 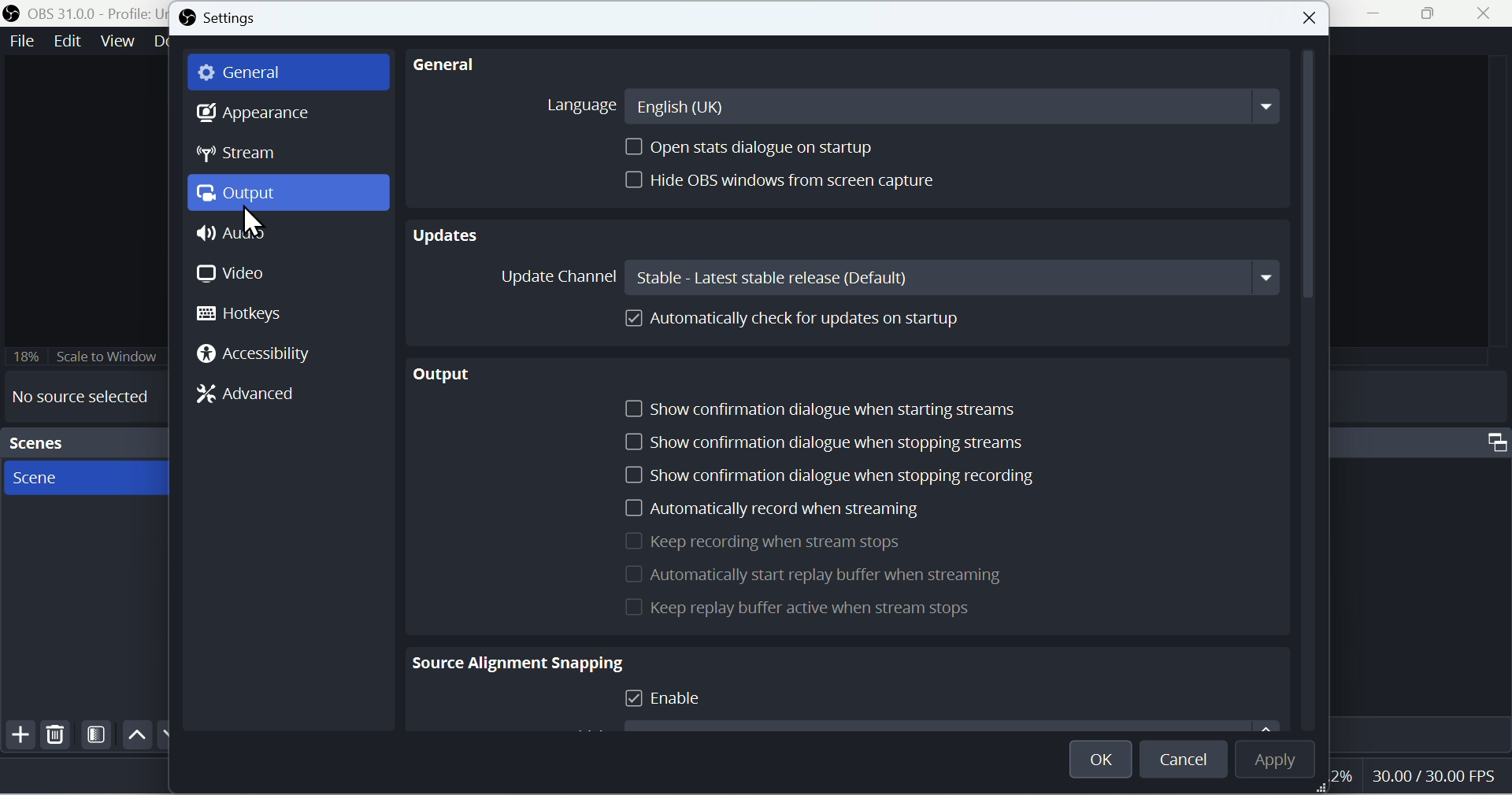 I want to click on Accessi bility, so click(x=263, y=357).